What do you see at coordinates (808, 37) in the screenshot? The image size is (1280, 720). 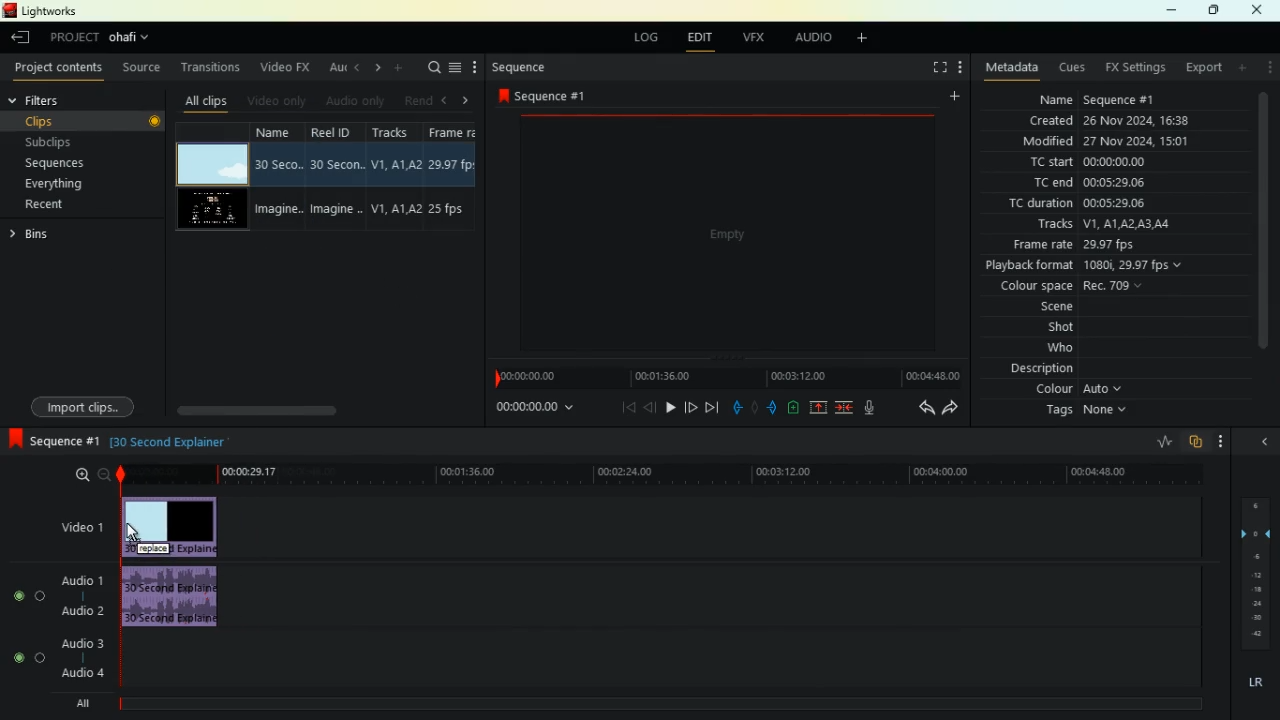 I see `audio` at bounding box center [808, 37].